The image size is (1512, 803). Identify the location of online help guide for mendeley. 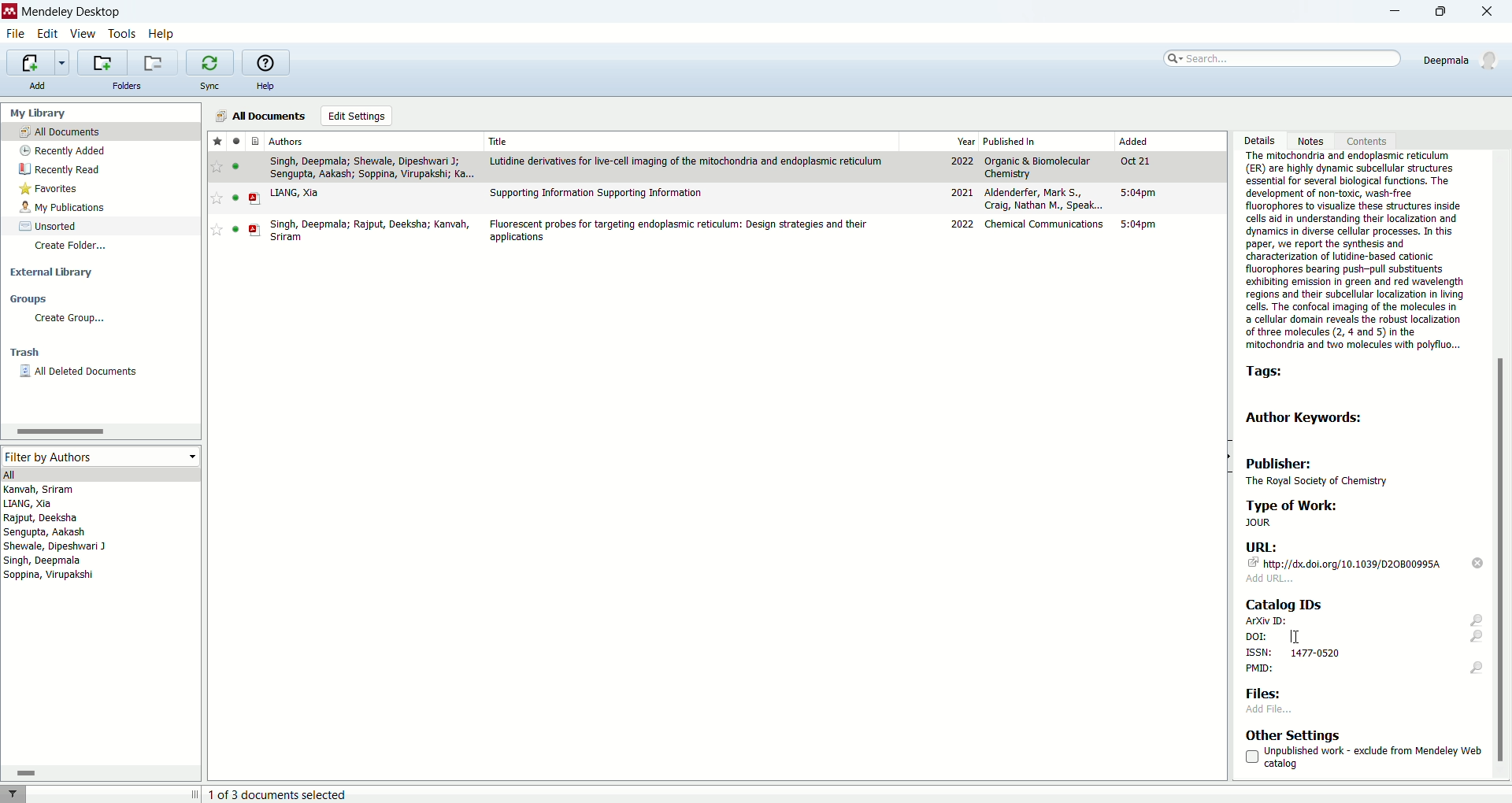
(264, 61).